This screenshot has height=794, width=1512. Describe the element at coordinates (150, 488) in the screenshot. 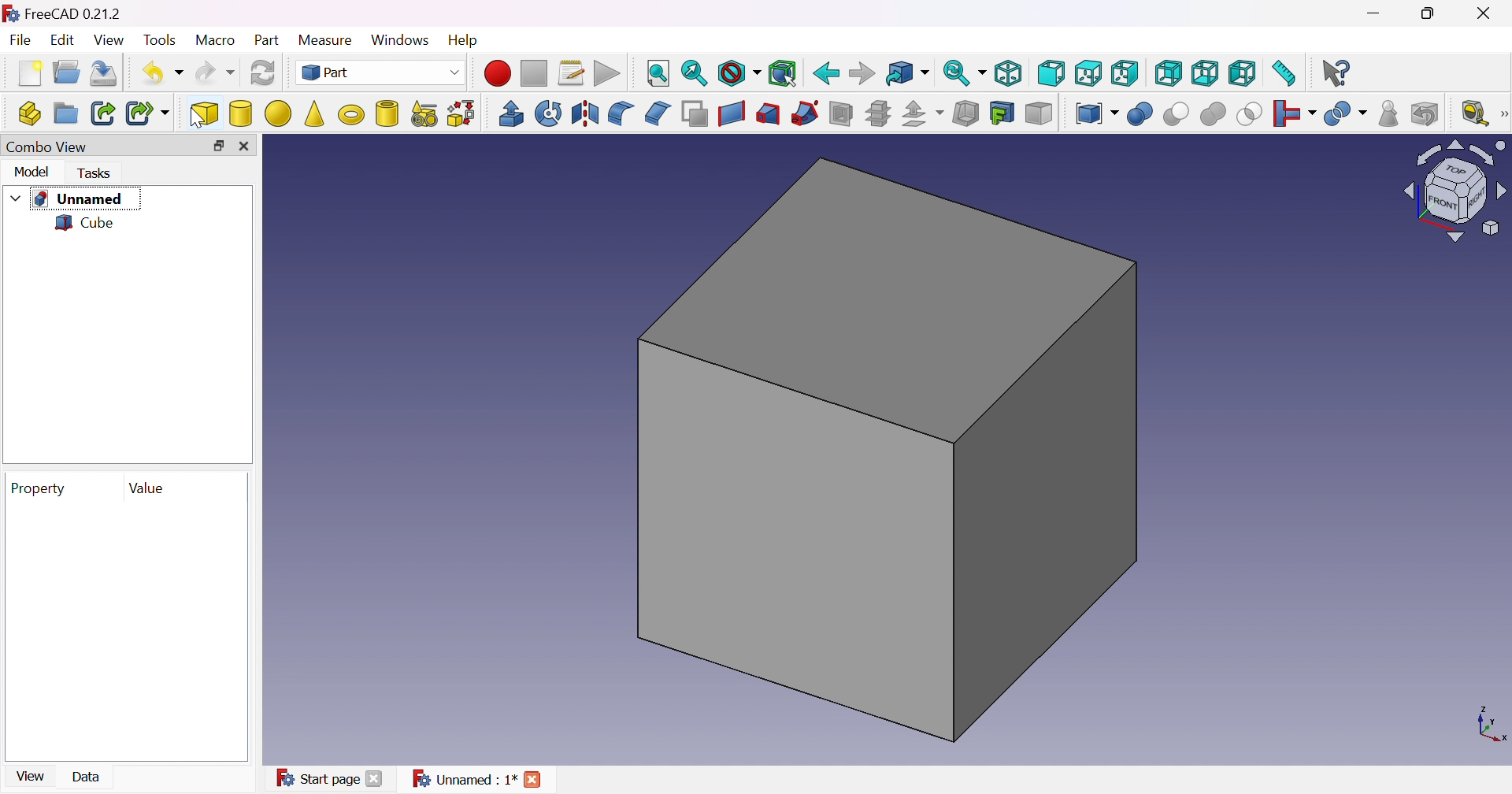

I see `Value` at that location.